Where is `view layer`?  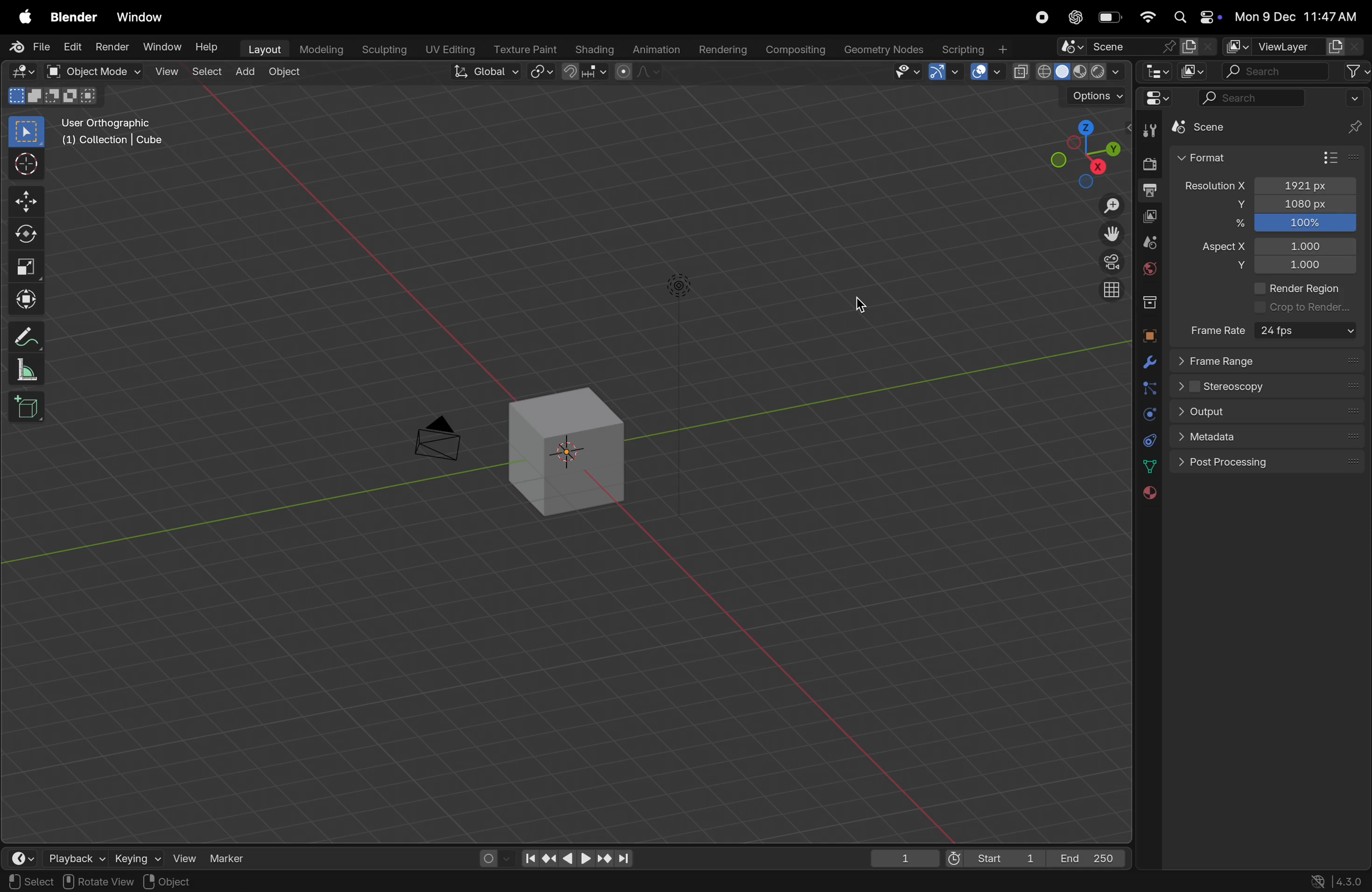
view layer is located at coordinates (1151, 216).